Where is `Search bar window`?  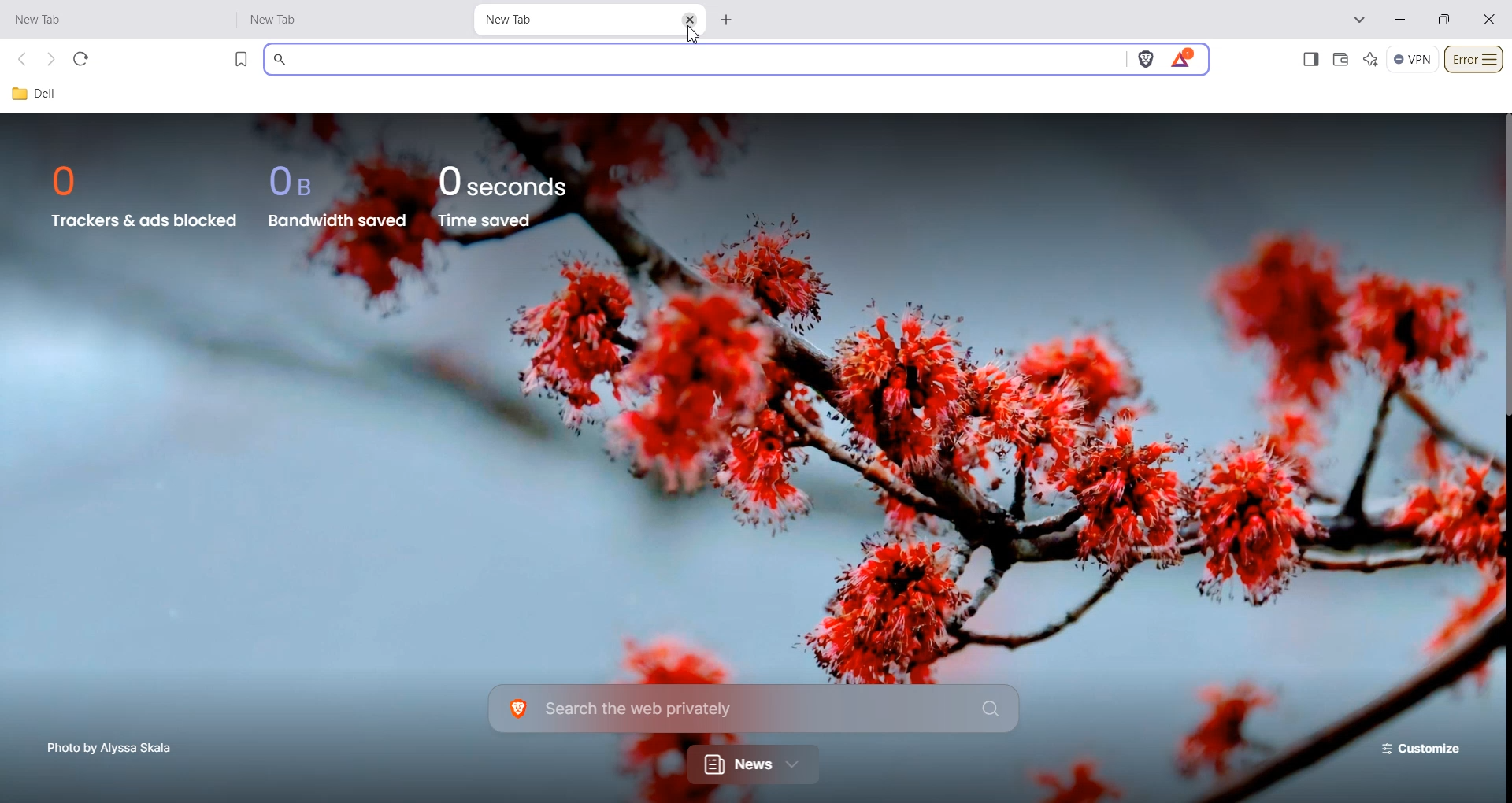 Search bar window is located at coordinates (693, 60).